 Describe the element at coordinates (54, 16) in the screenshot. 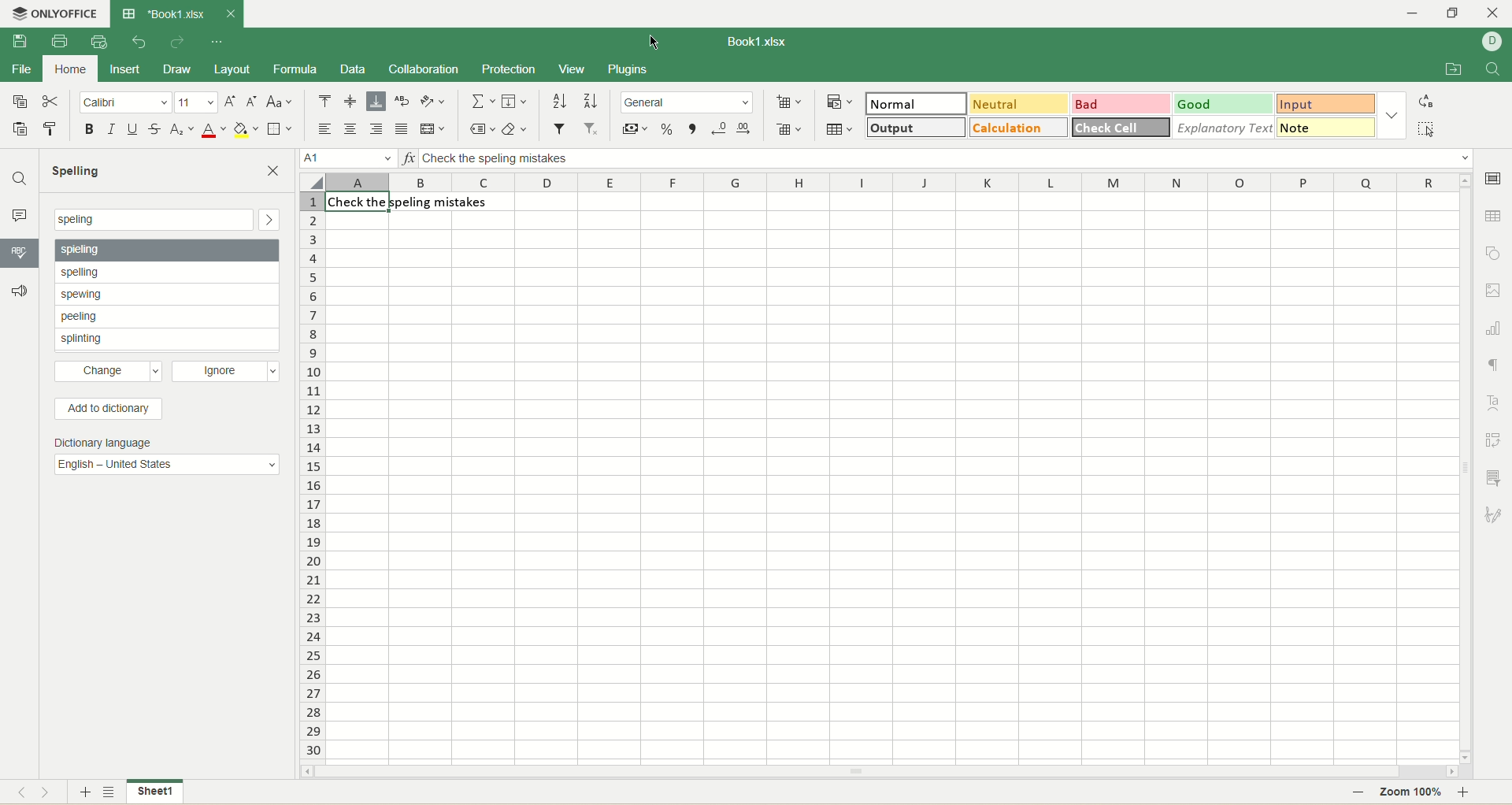

I see `onlyoffice` at that location.